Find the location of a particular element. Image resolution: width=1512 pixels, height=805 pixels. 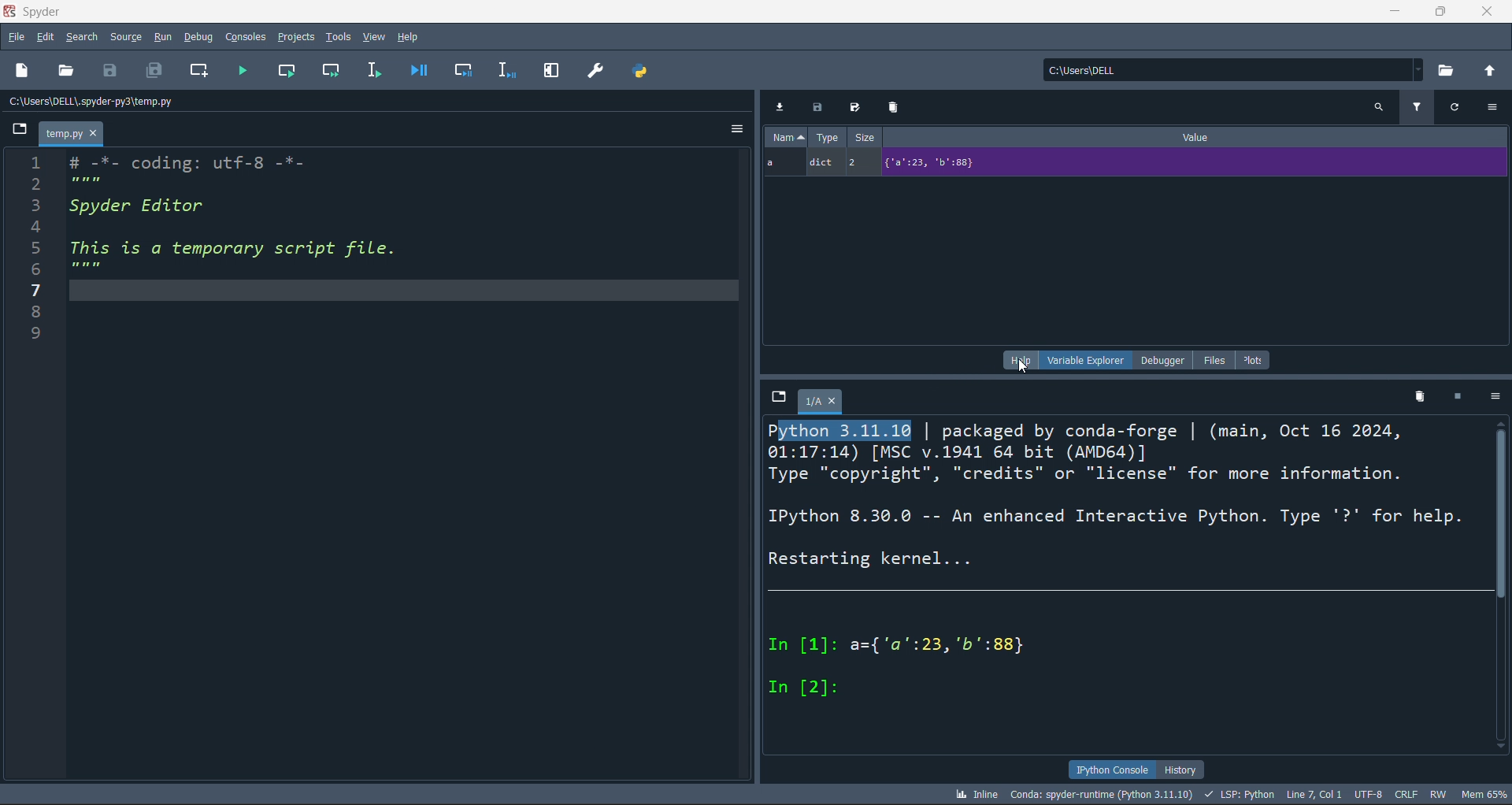

1/A tab is located at coordinates (824, 403).